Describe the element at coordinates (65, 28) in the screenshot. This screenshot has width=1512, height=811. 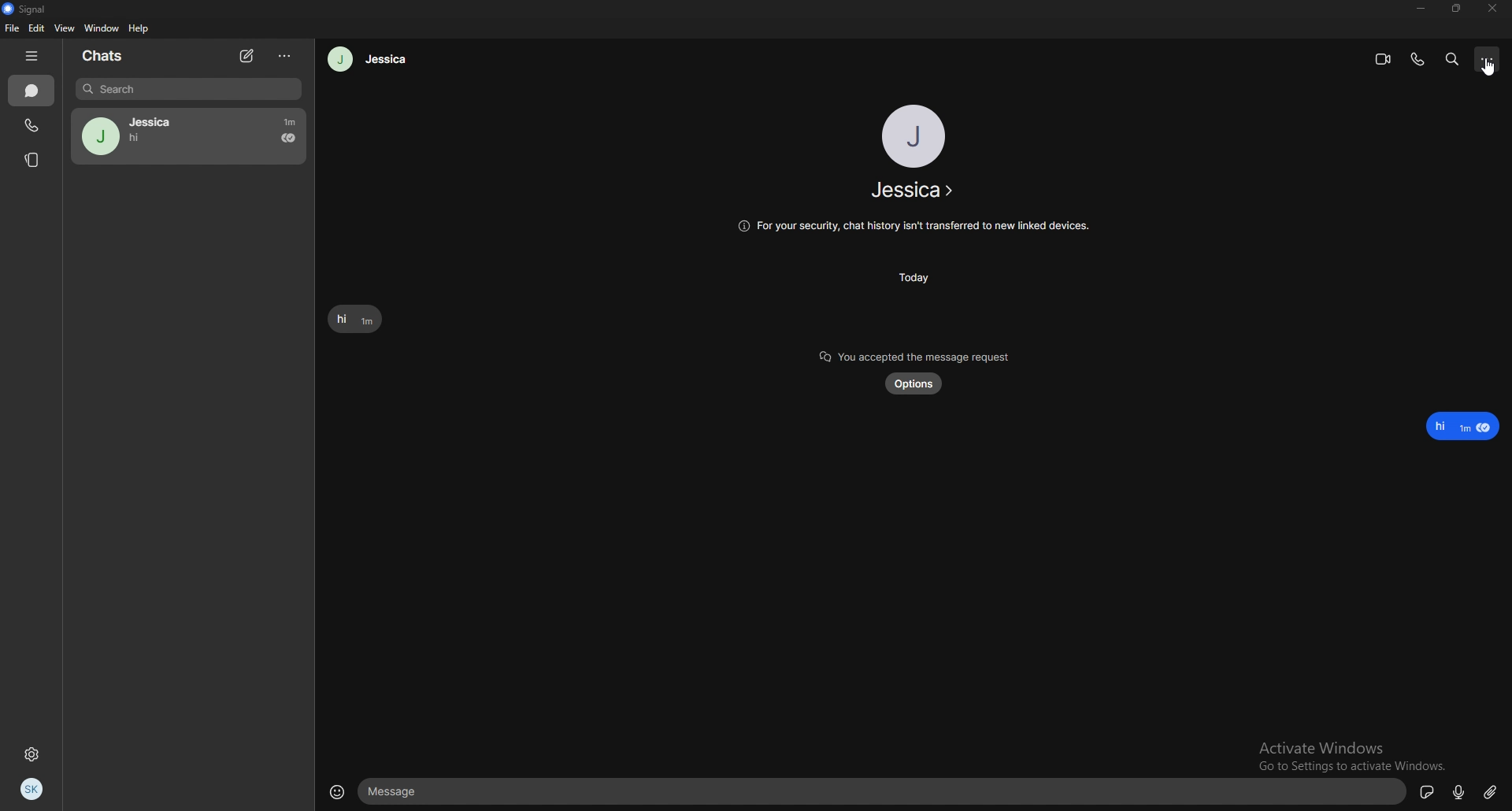
I see `view` at that location.